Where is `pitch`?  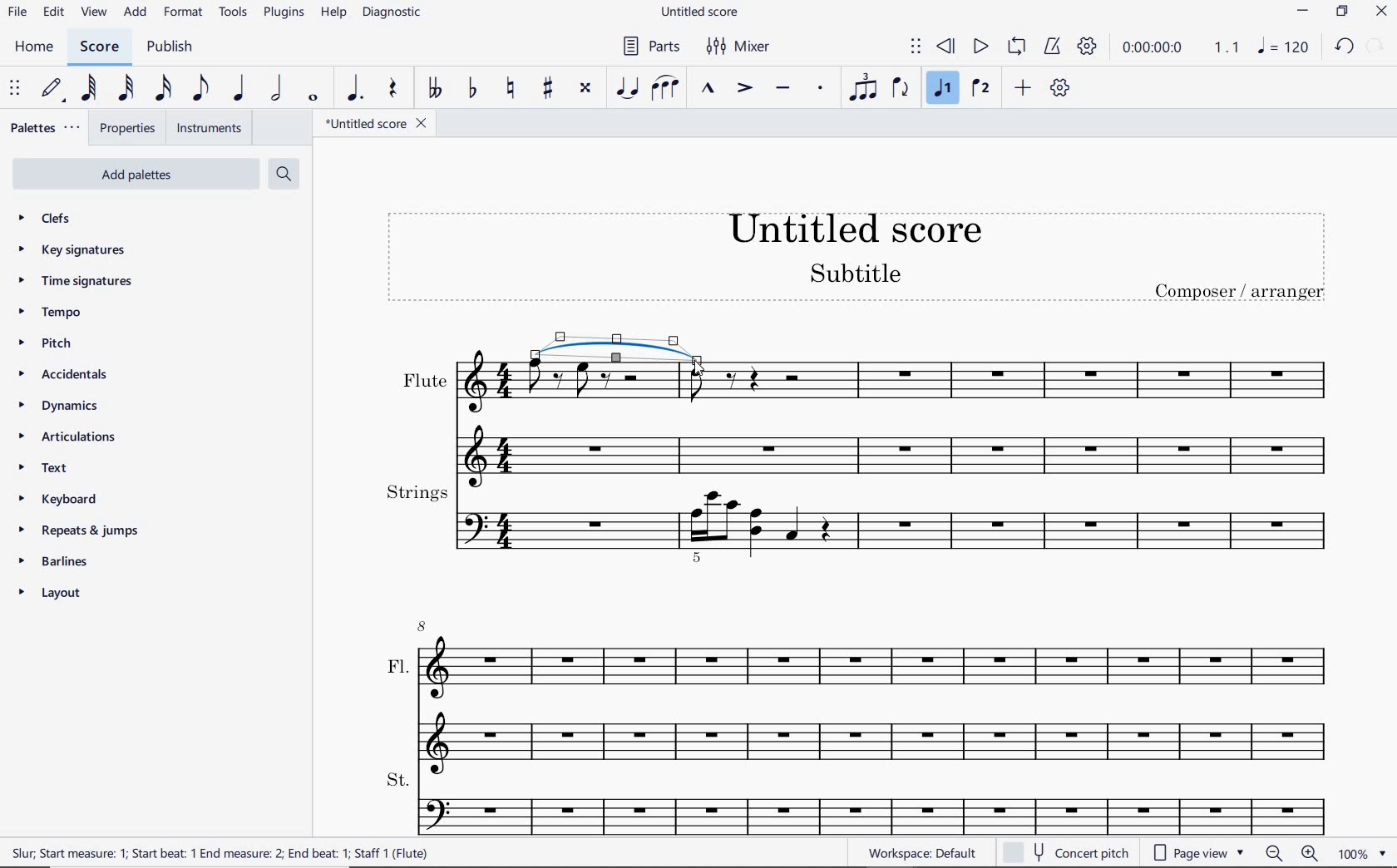
pitch is located at coordinates (52, 344).